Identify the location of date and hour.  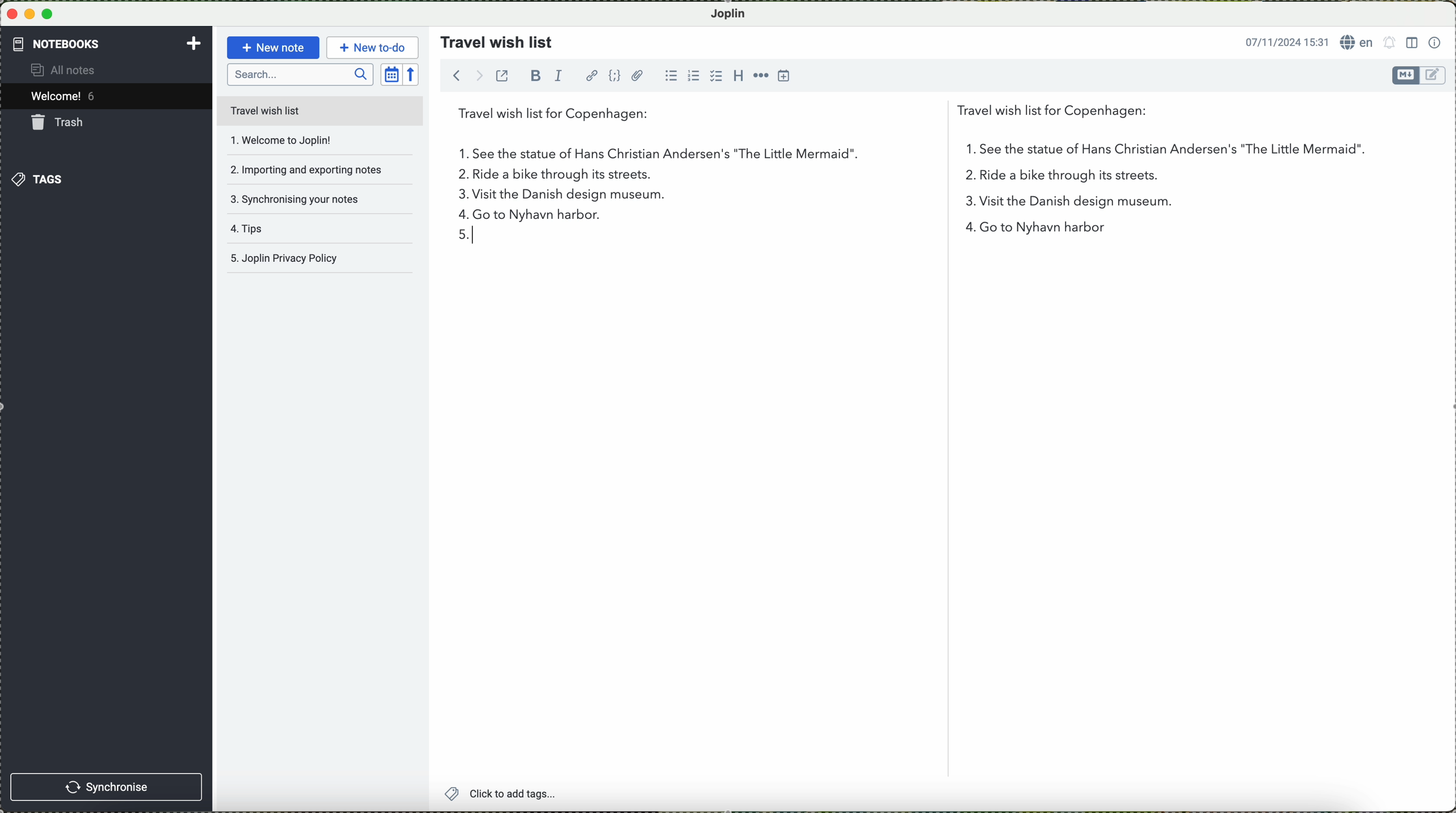
(1283, 41).